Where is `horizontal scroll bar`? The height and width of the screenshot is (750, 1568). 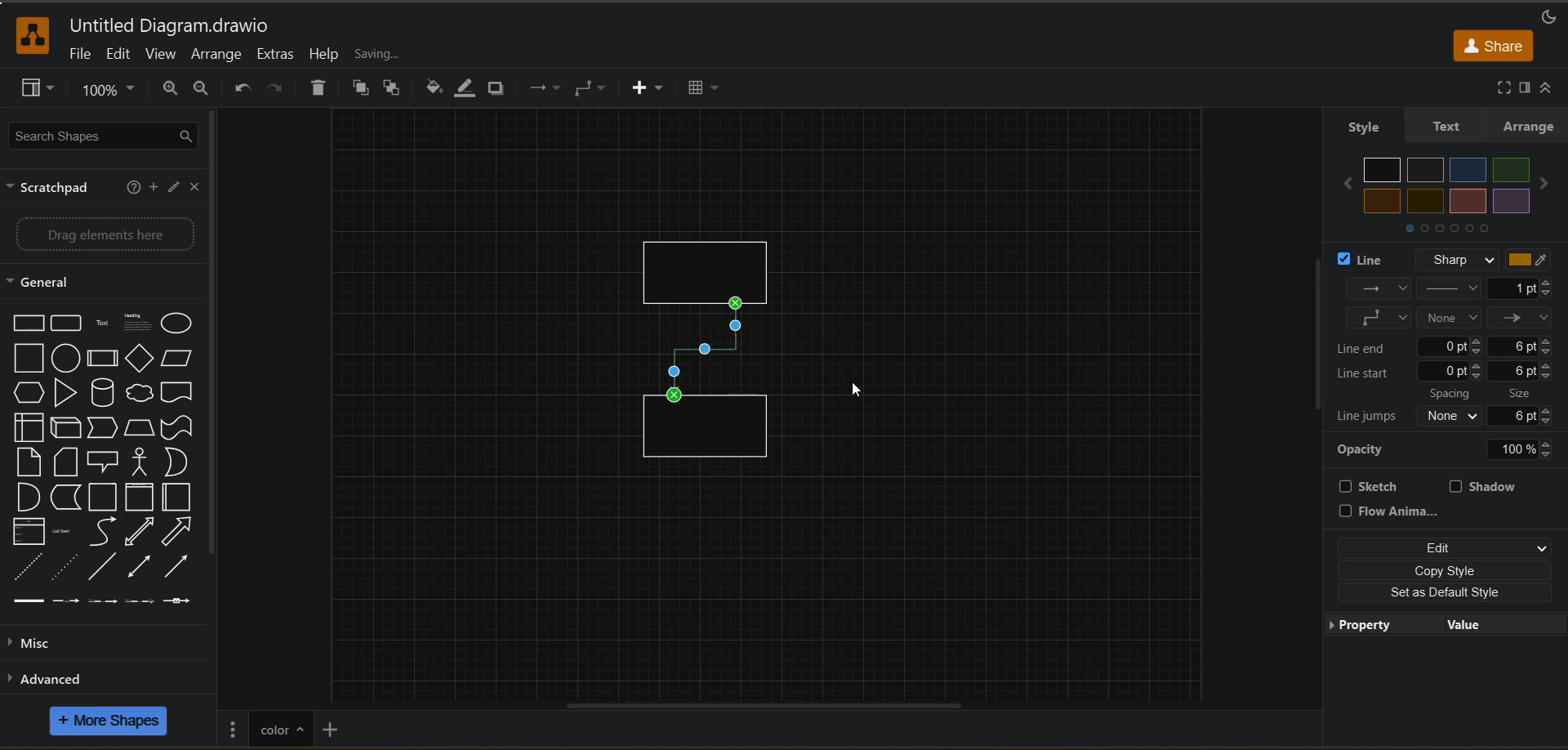
horizontal scroll bar is located at coordinates (759, 703).